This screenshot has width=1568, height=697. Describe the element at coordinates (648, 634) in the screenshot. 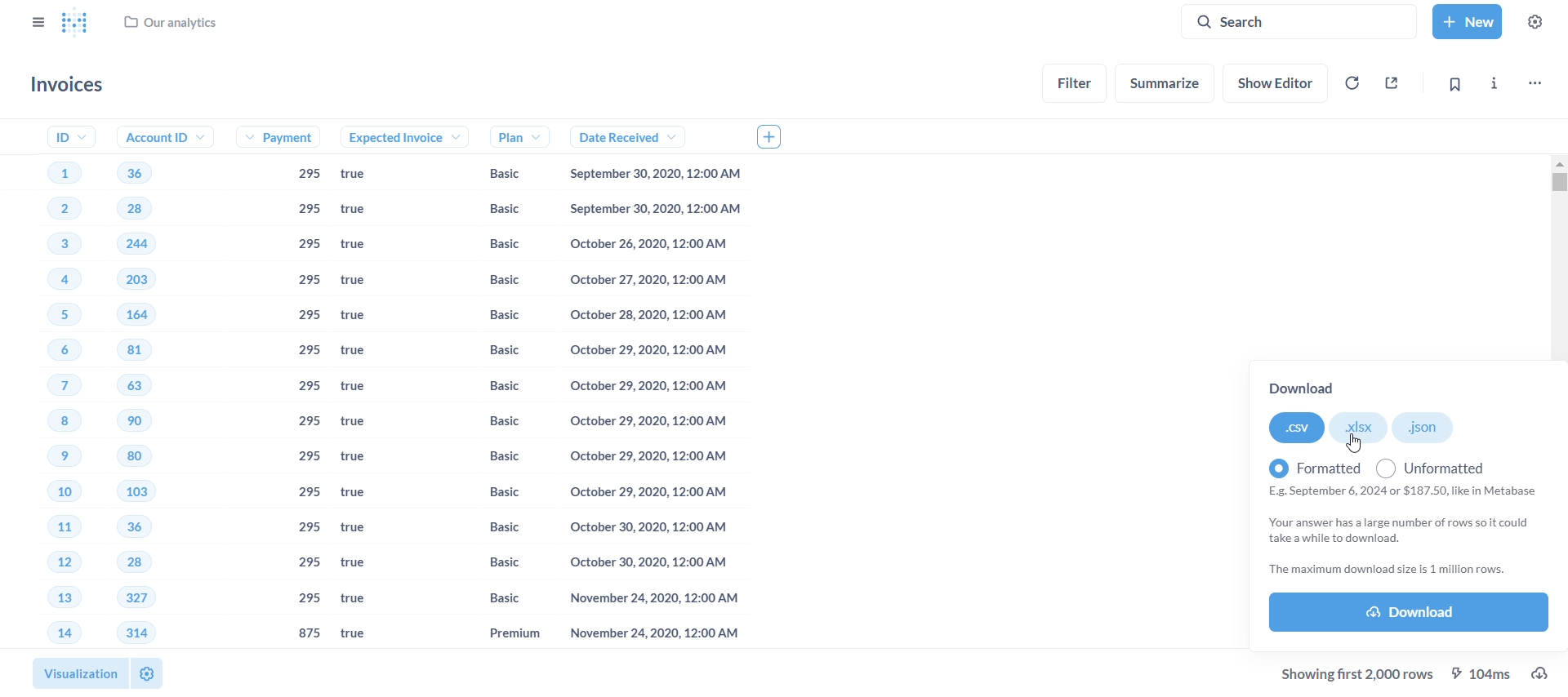

I see `November 24,2020, 12:00 AM` at that location.